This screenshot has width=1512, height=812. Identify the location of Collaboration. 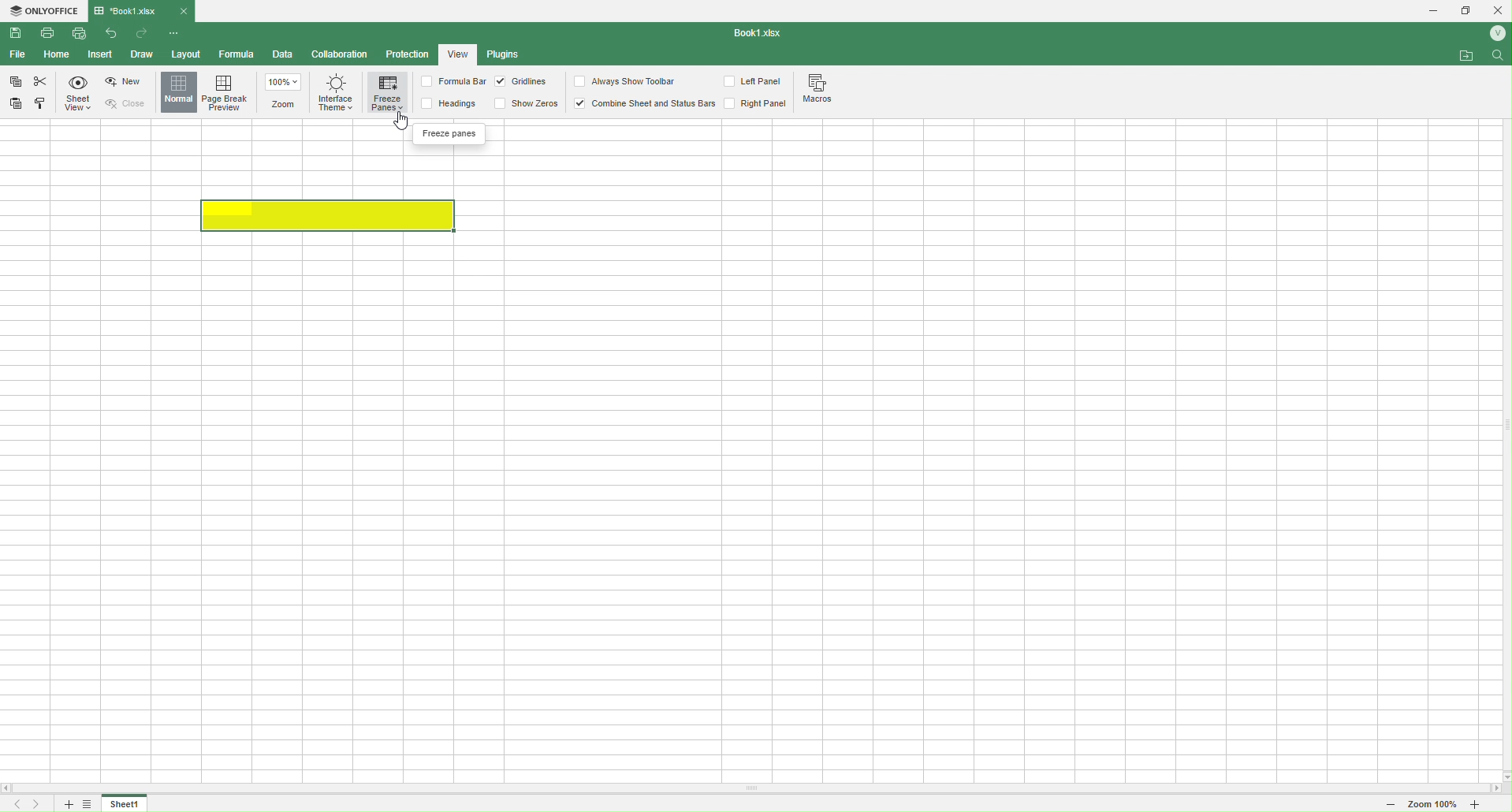
(341, 55).